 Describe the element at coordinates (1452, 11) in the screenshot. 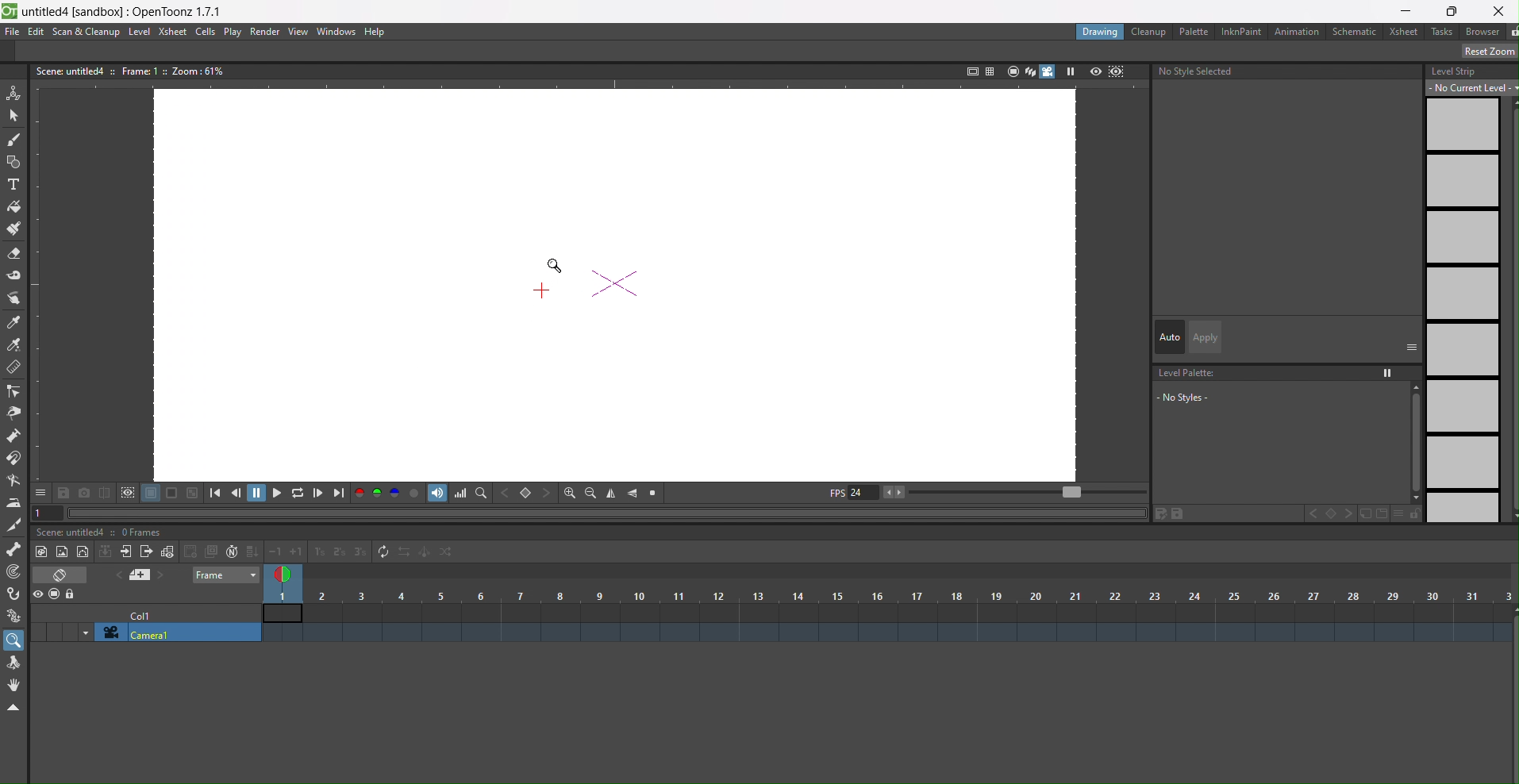

I see `restore window` at that location.